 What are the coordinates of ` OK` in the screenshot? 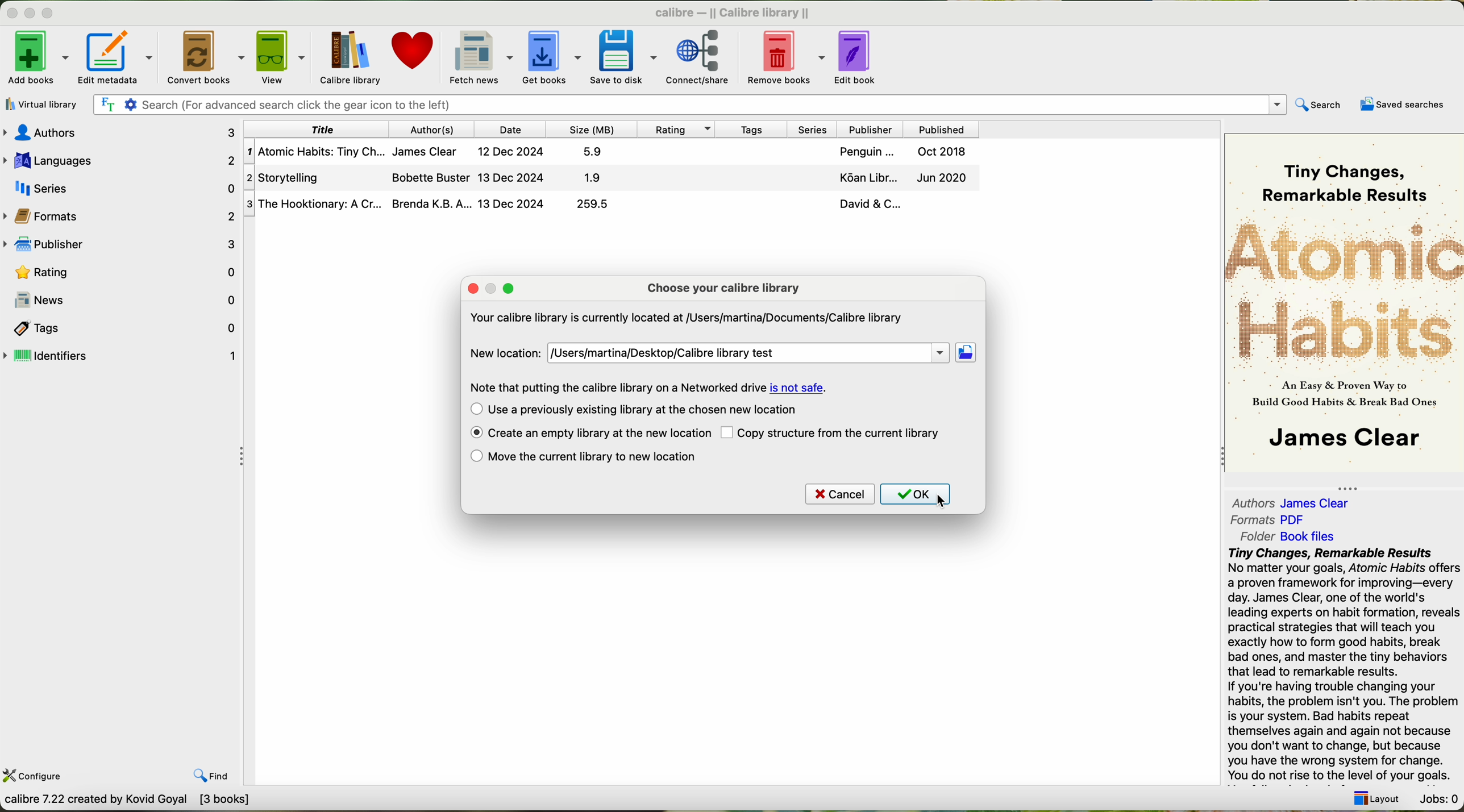 It's located at (920, 495).